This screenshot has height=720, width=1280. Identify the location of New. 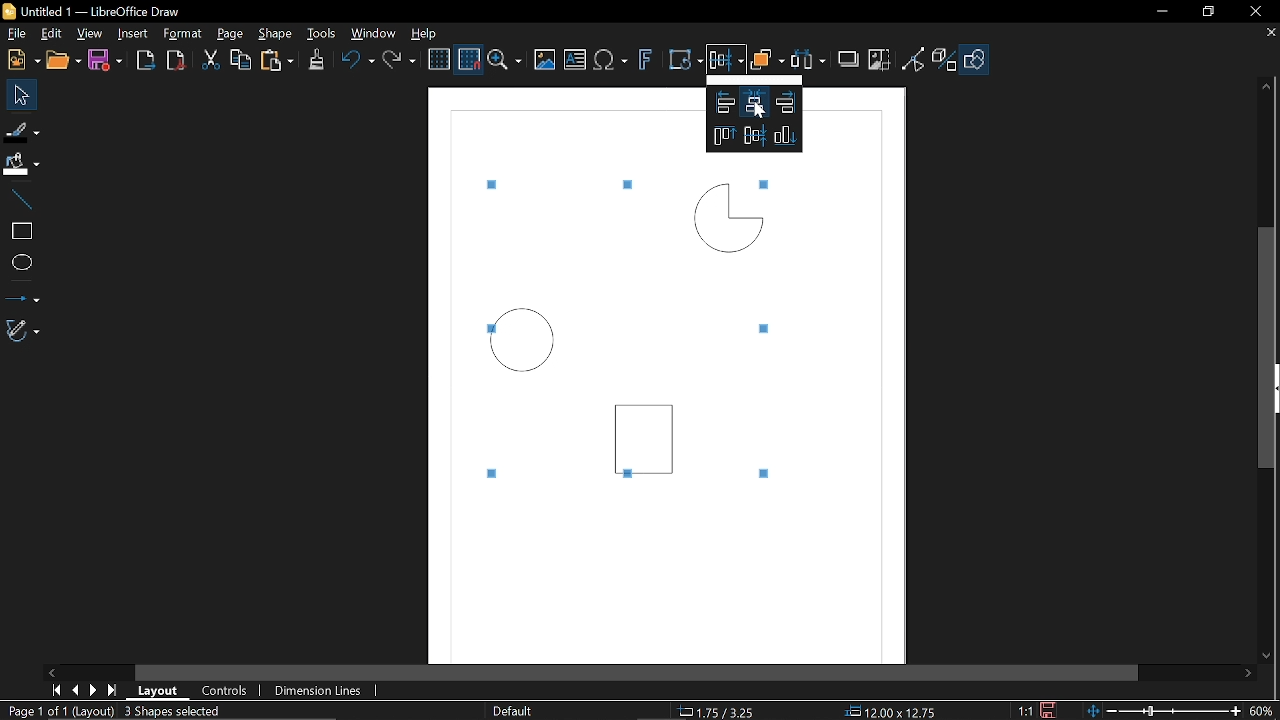
(22, 61).